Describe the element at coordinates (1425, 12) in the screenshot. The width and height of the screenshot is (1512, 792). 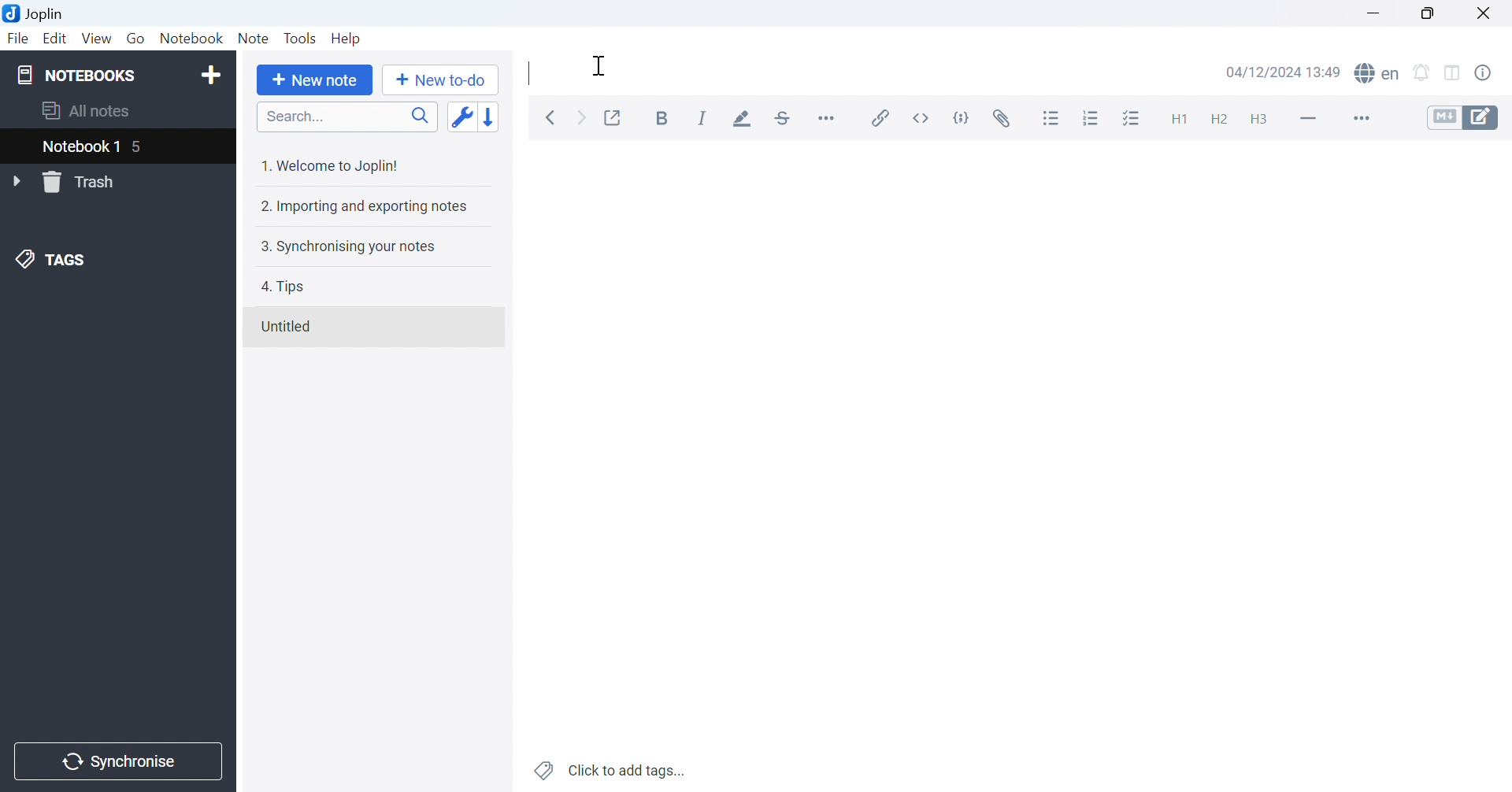
I see `Restore Down` at that location.